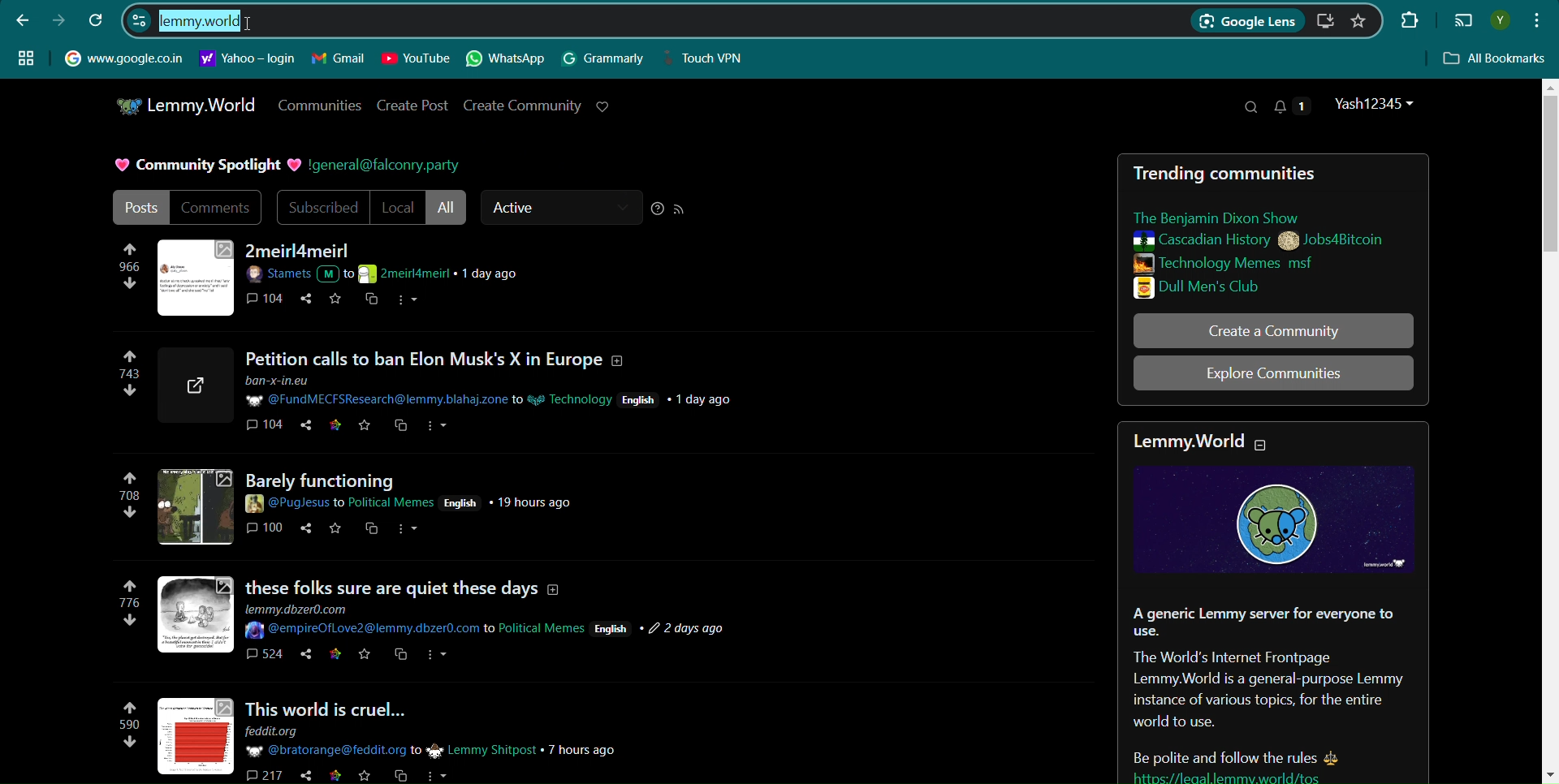 The image size is (1559, 784). What do you see at coordinates (353, 706) in the screenshot?
I see `This world is cruel` at bounding box center [353, 706].